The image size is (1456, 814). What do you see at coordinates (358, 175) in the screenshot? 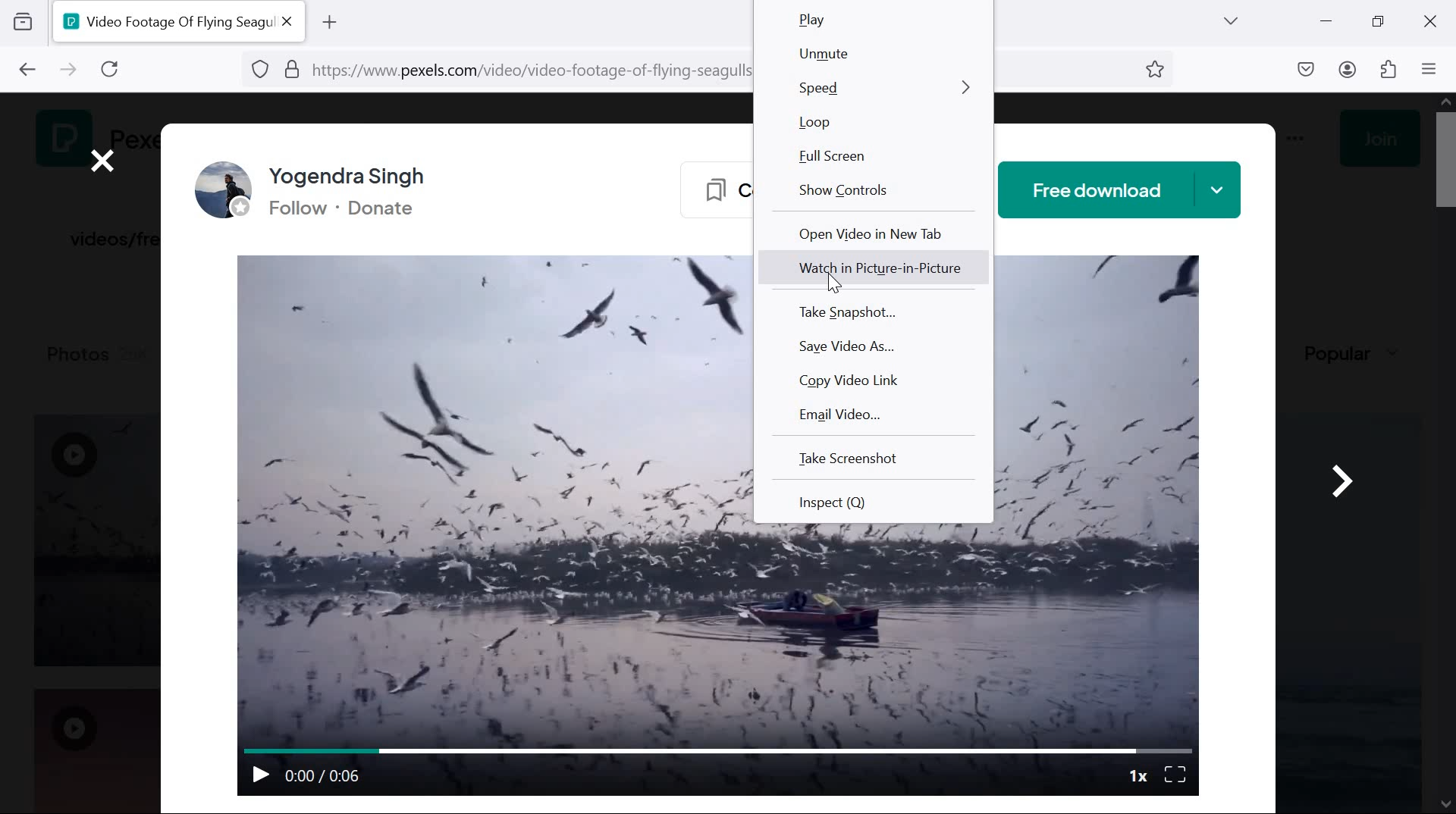
I see `Yogendra Singh` at bounding box center [358, 175].